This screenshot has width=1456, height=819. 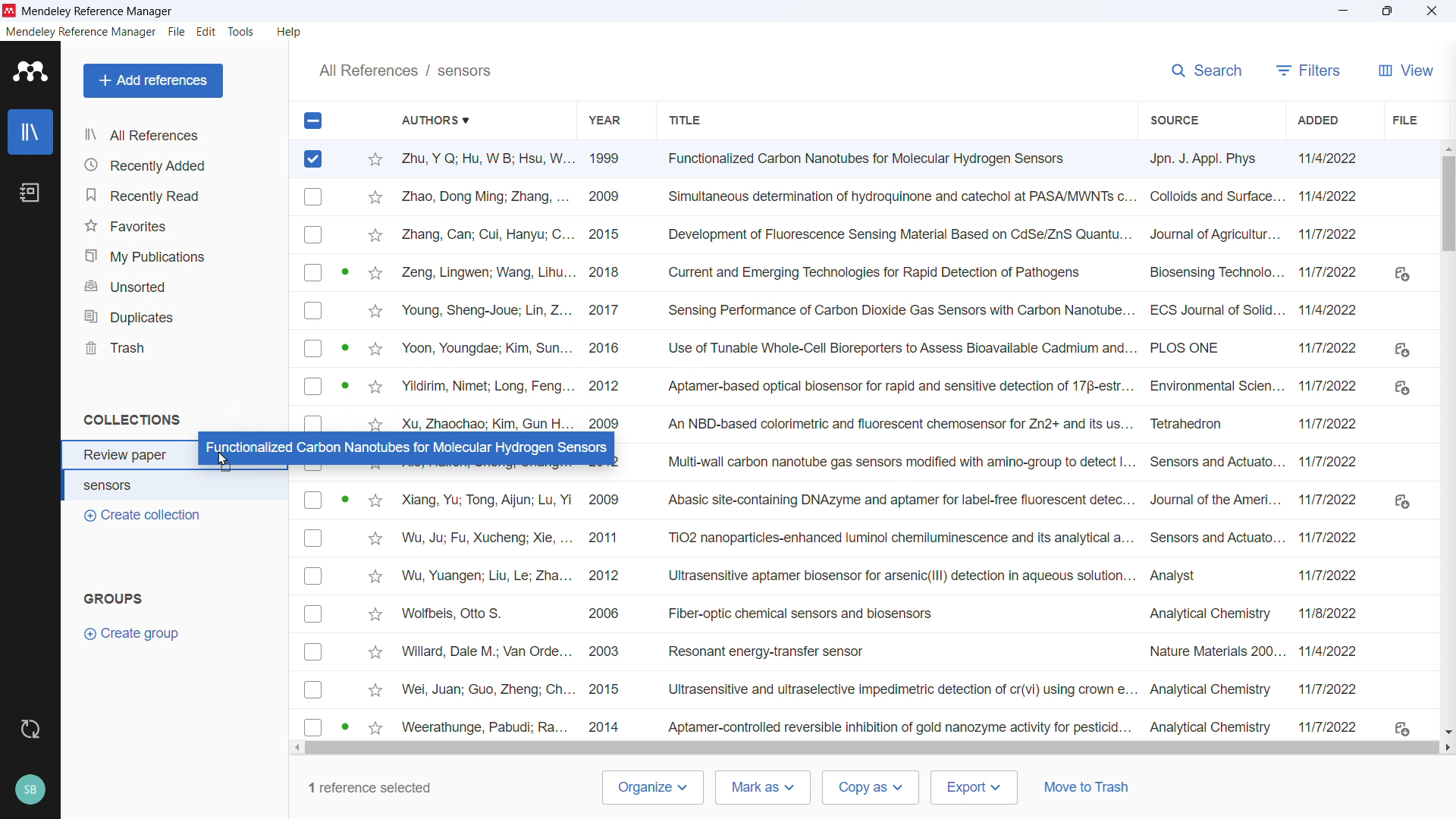 What do you see at coordinates (177, 256) in the screenshot?
I see `Publications ` at bounding box center [177, 256].